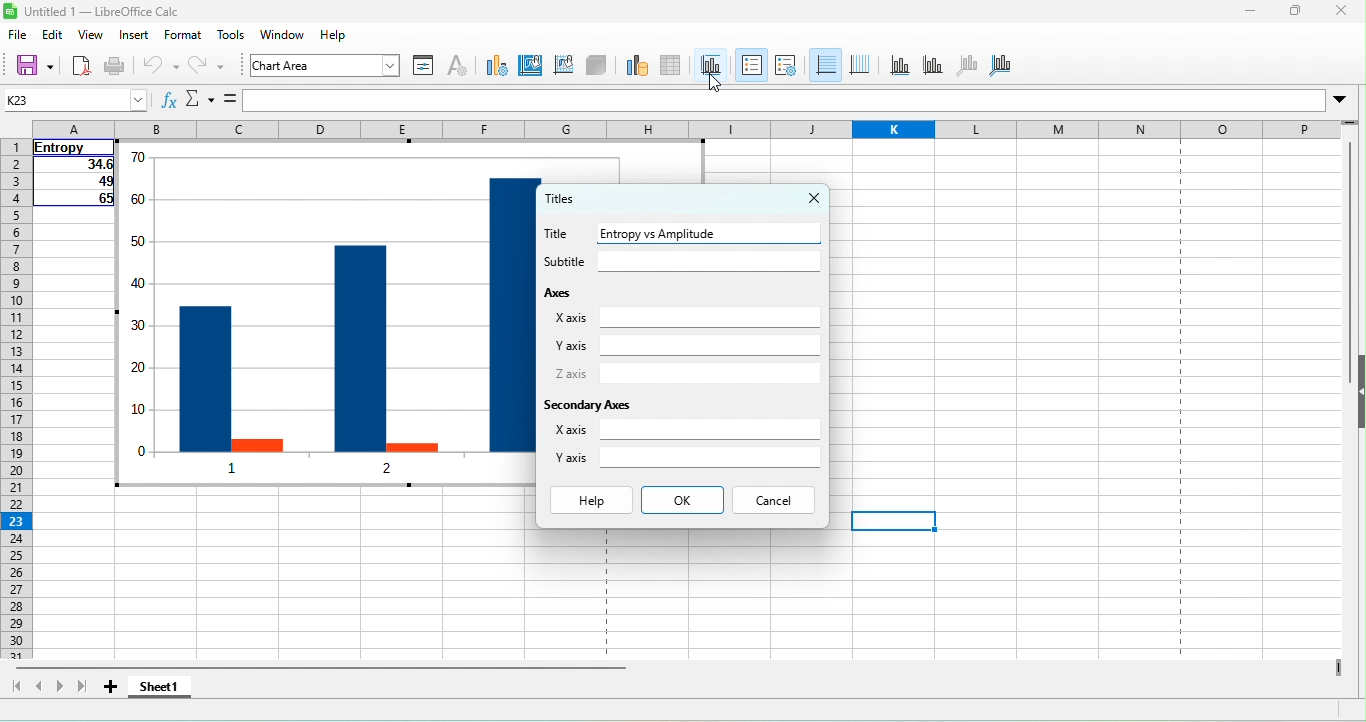 This screenshot has width=1366, height=722. Describe the element at coordinates (333, 38) in the screenshot. I see `help` at that location.